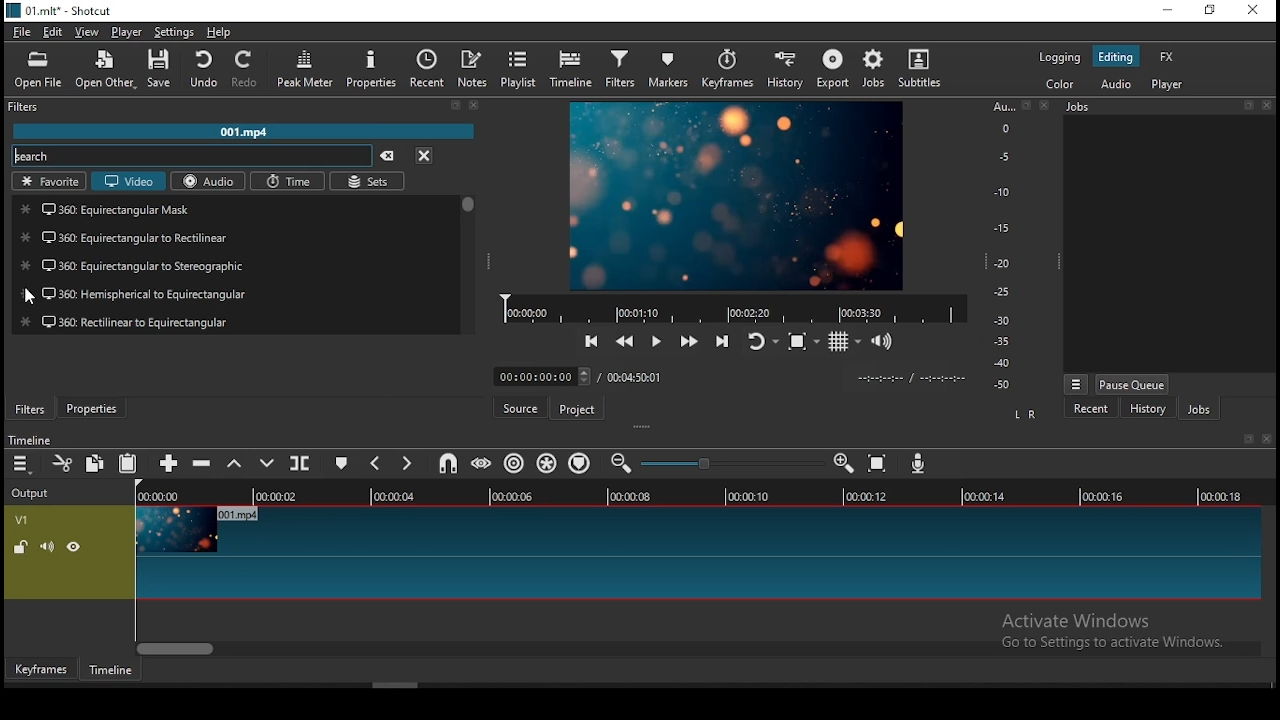  What do you see at coordinates (406, 463) in the screenshot?
I see `next marker` at bounding box center [406, 463].